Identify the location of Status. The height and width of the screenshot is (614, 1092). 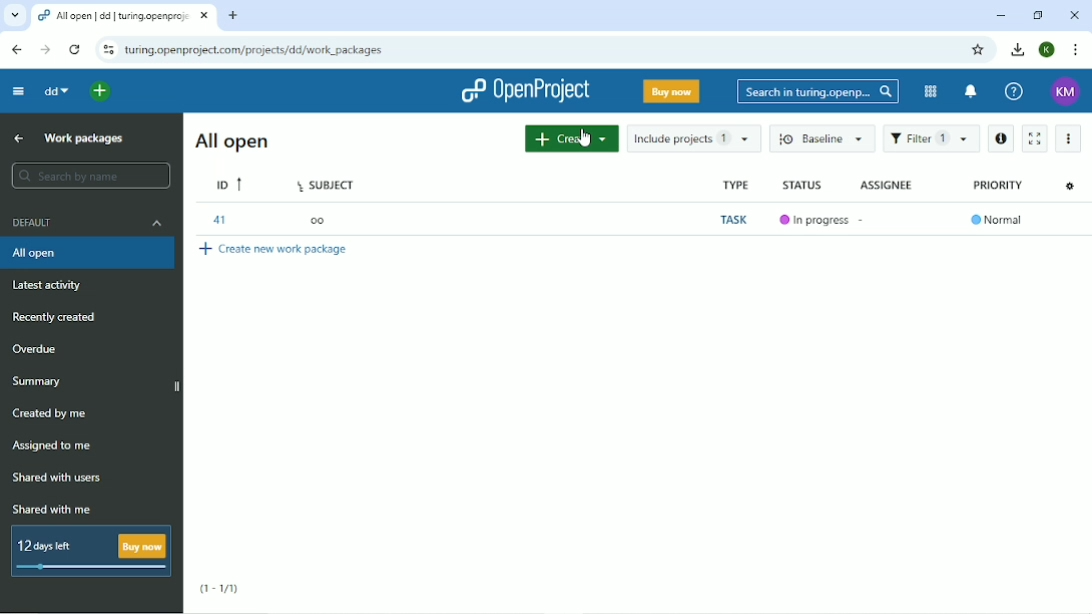
(803, 184).